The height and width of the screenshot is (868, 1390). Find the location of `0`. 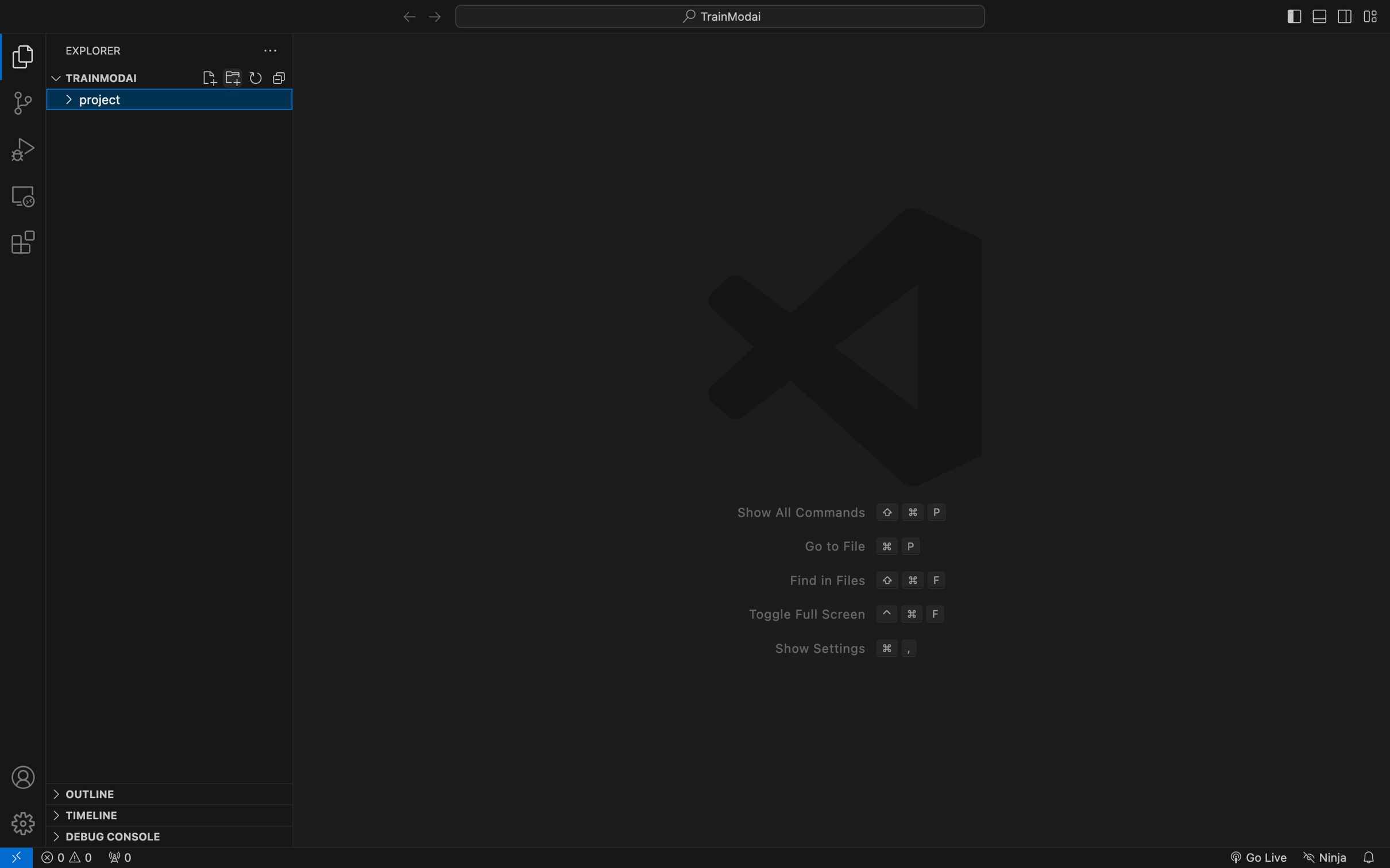

0 is located at coordinates (67, 858).